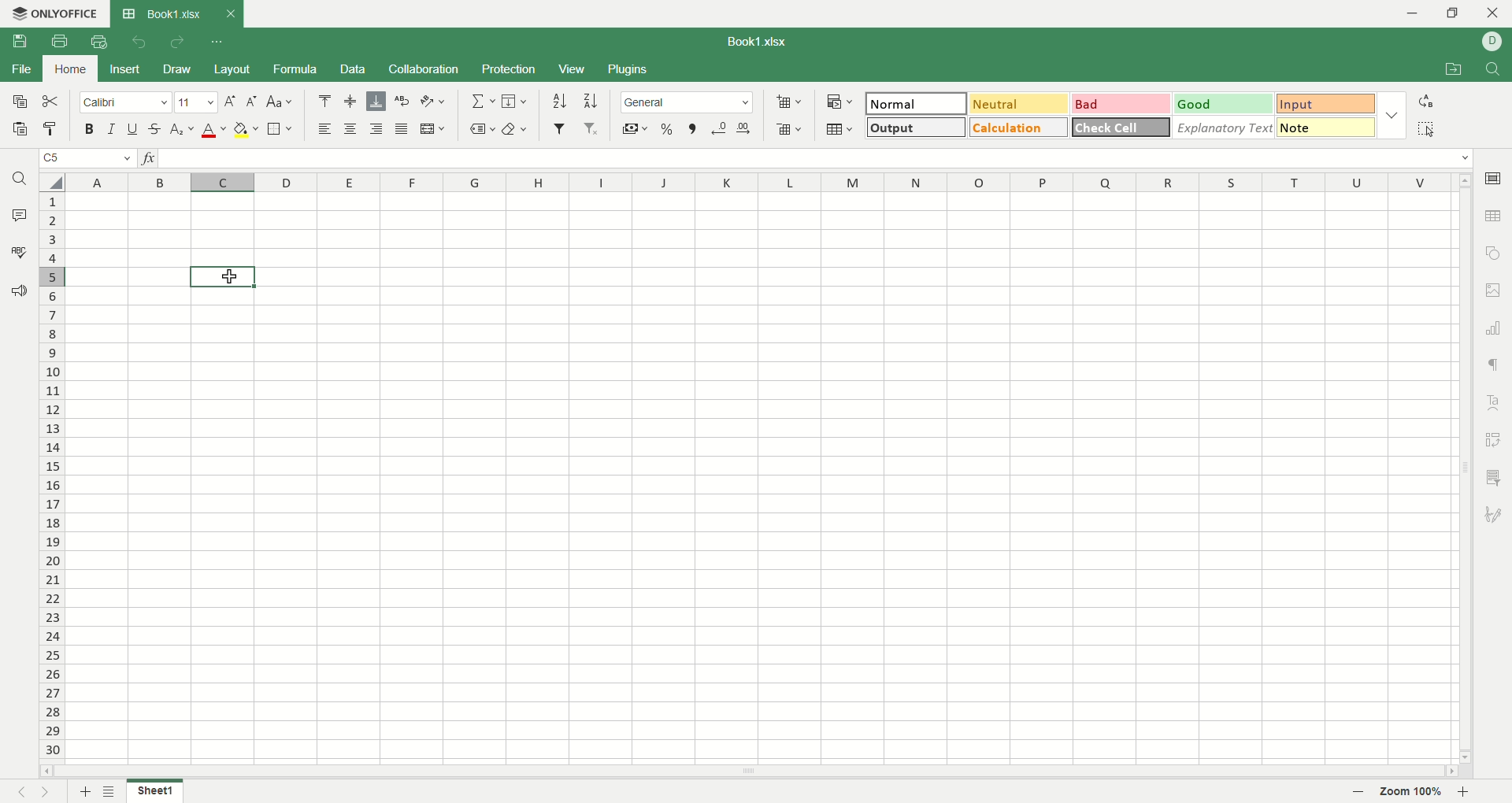 Image resolution: width=1512 pixels, height=803 pixels. Describe the element at coordinates (352, 69) in the screenshot. I see `data` at that location.